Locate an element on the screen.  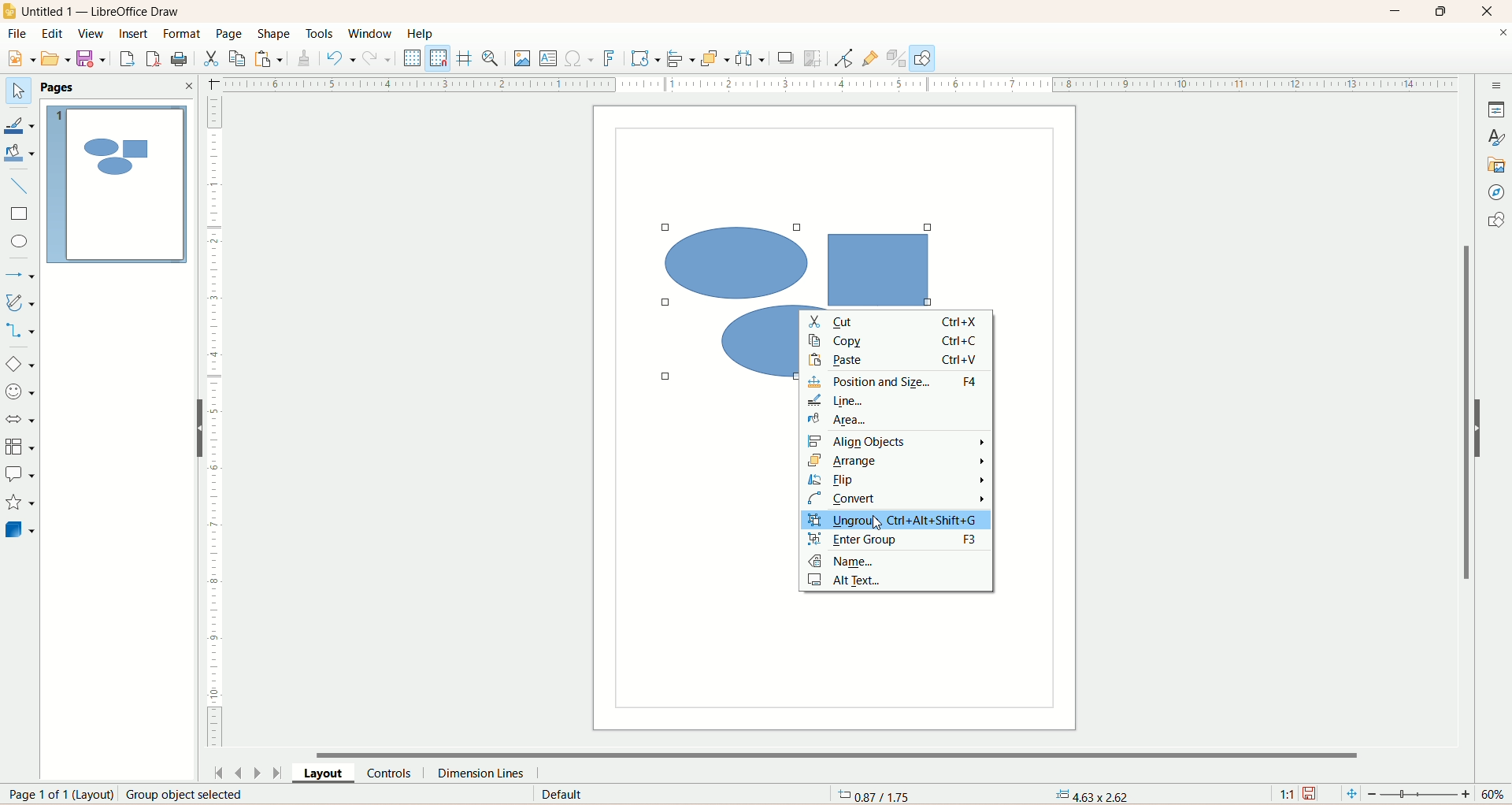
position and size is located at coordinates (895, 383).